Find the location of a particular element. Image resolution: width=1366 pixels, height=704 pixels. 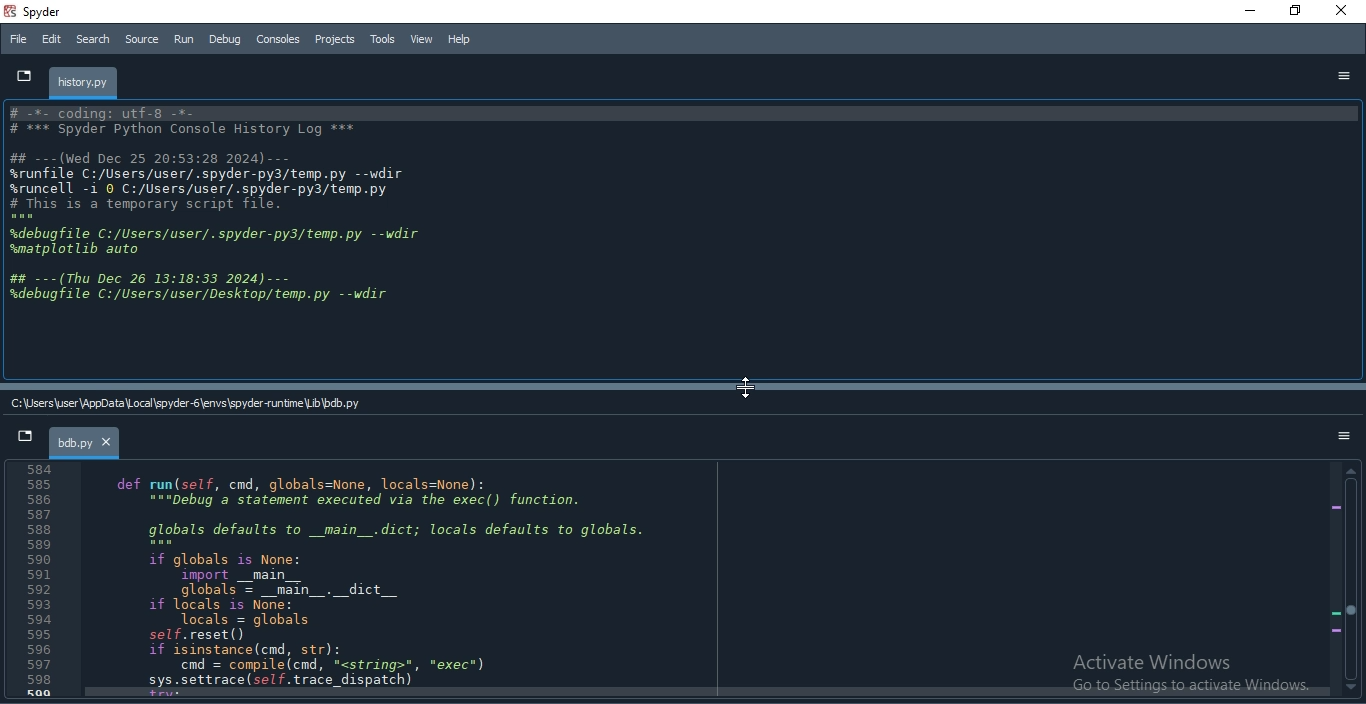

Debug is located at coordinates (223, 41).